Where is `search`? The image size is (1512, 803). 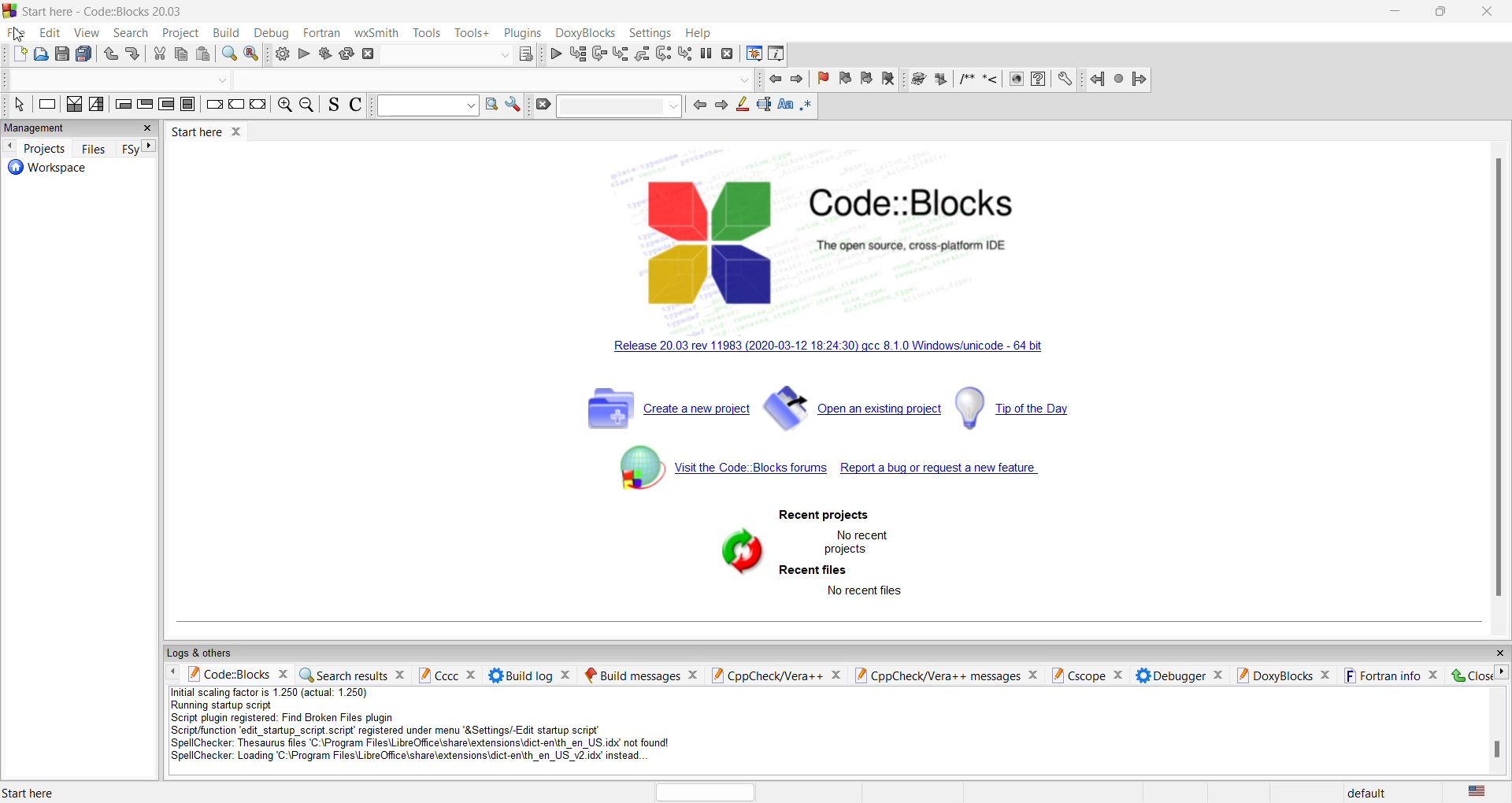 search is located at coordinates (129, 34).